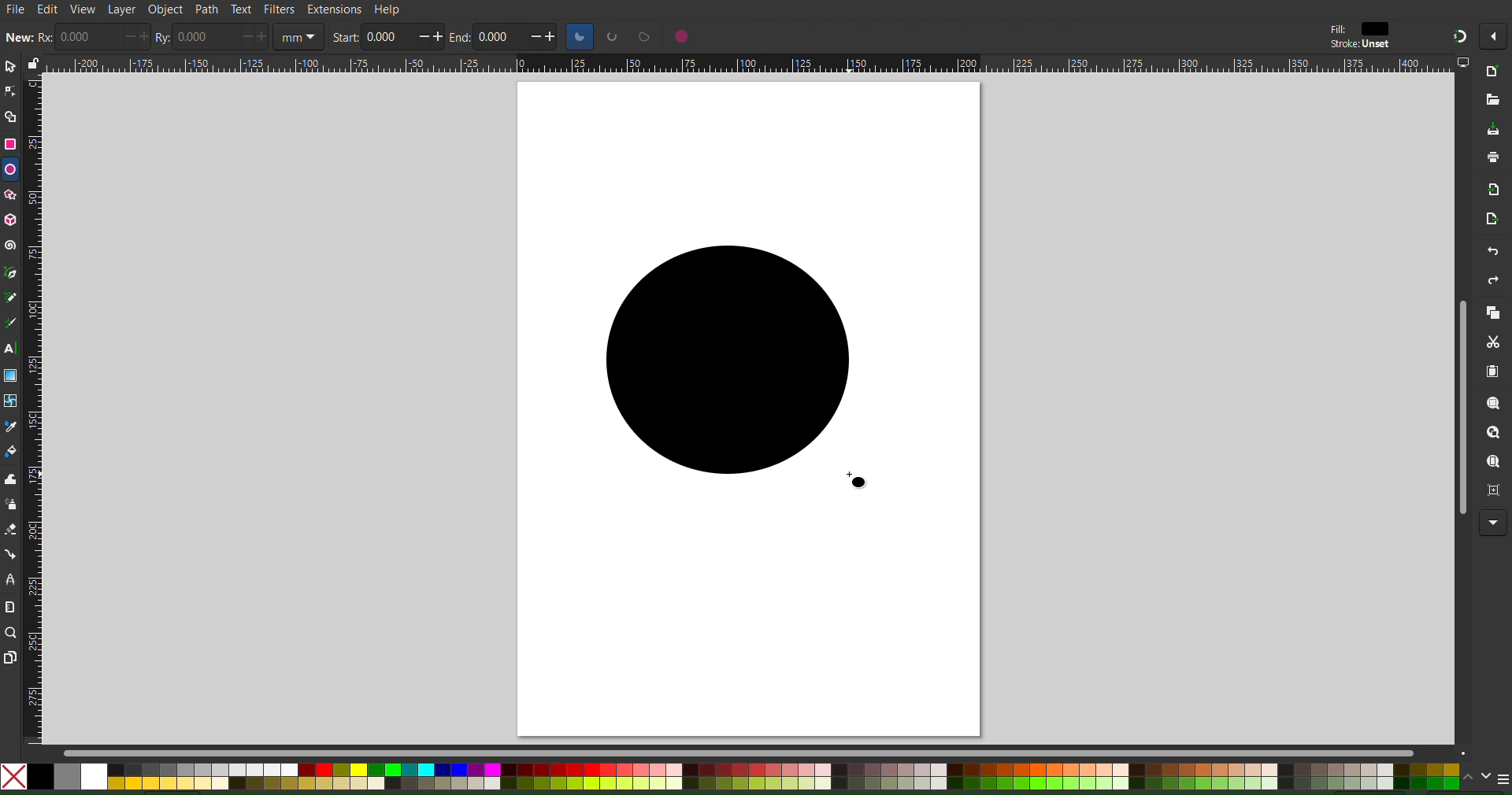 The width and height of the screenshot is (1512, 795). Describe the element at coordinates (1492, 342) in the screenshot. I see `Cut` at that location.